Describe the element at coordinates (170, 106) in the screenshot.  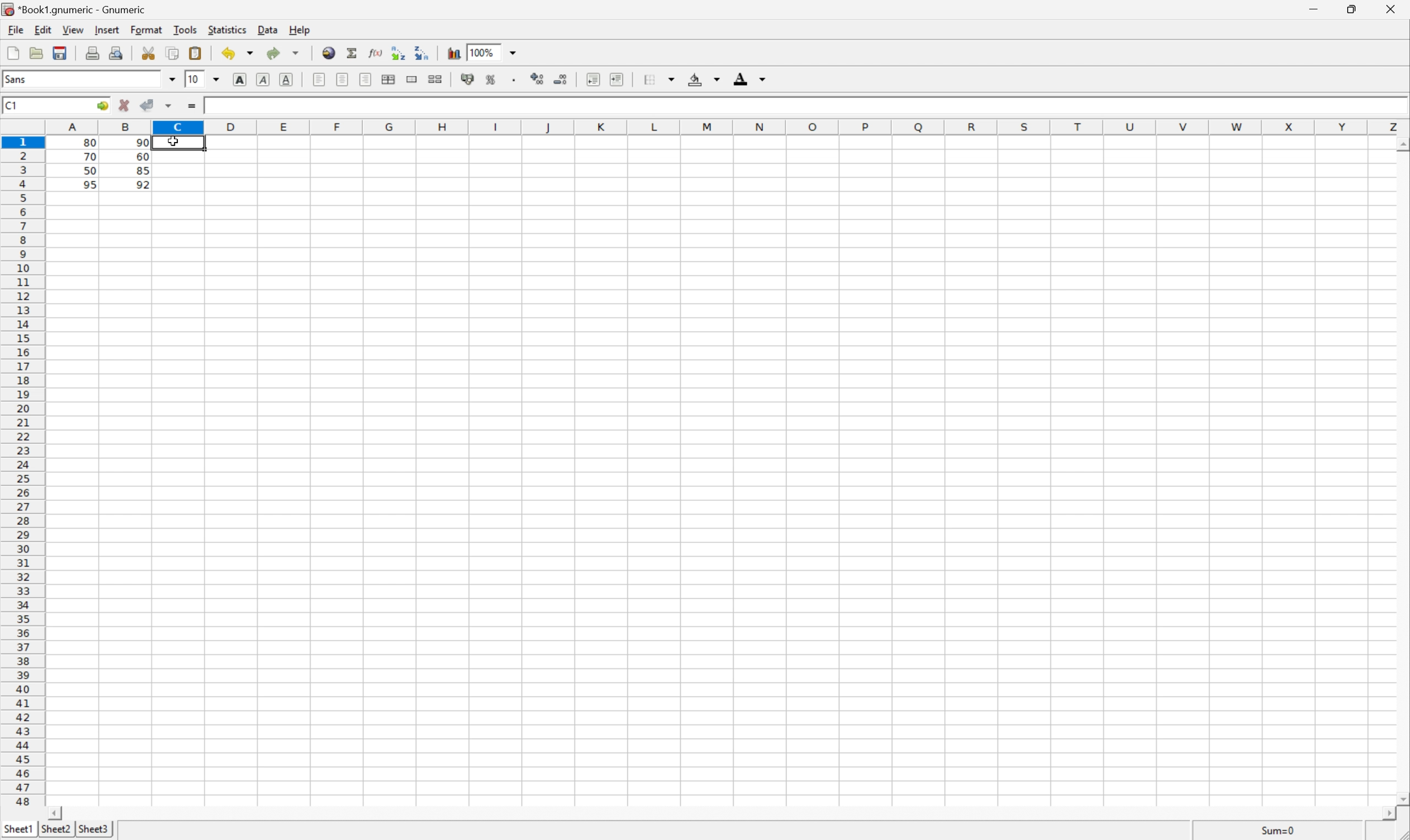
I see `Accept changes in multiple changes` at that location.